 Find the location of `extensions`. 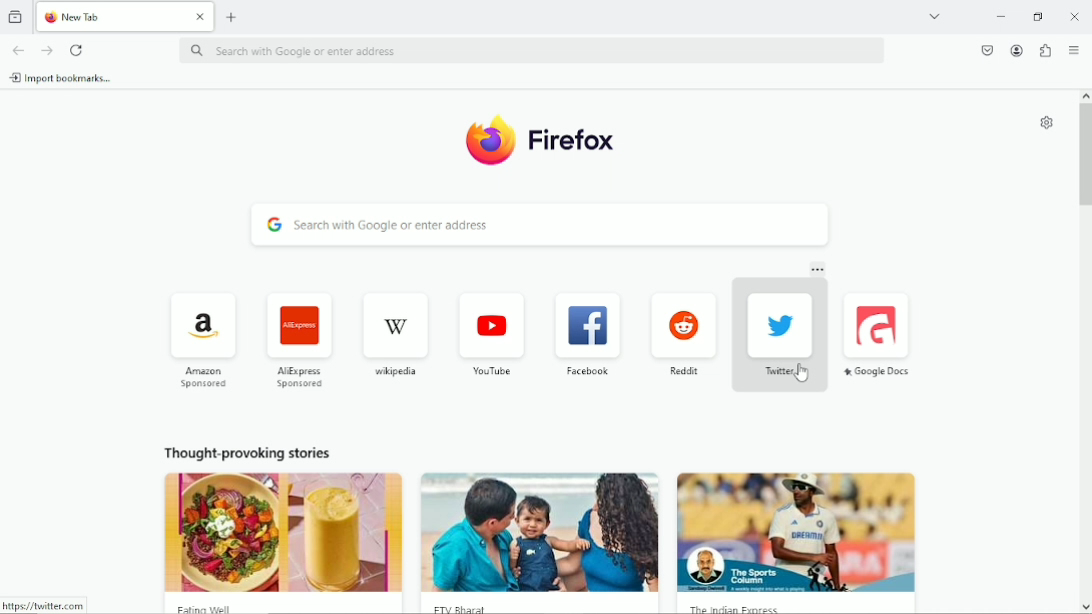

extensions is located at coordinates (1044, 51).